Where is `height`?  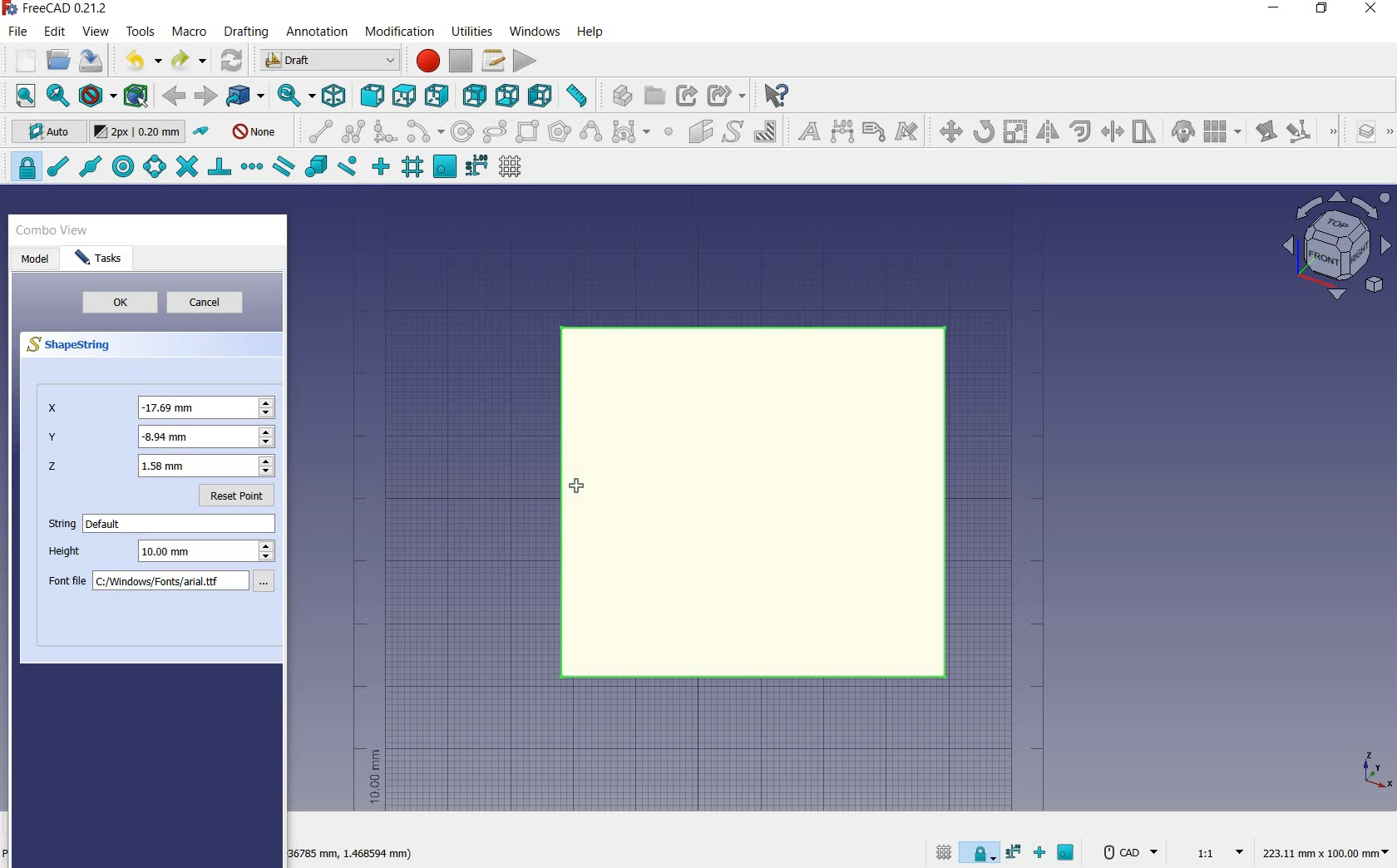
height is located at coordinates (165, 554).